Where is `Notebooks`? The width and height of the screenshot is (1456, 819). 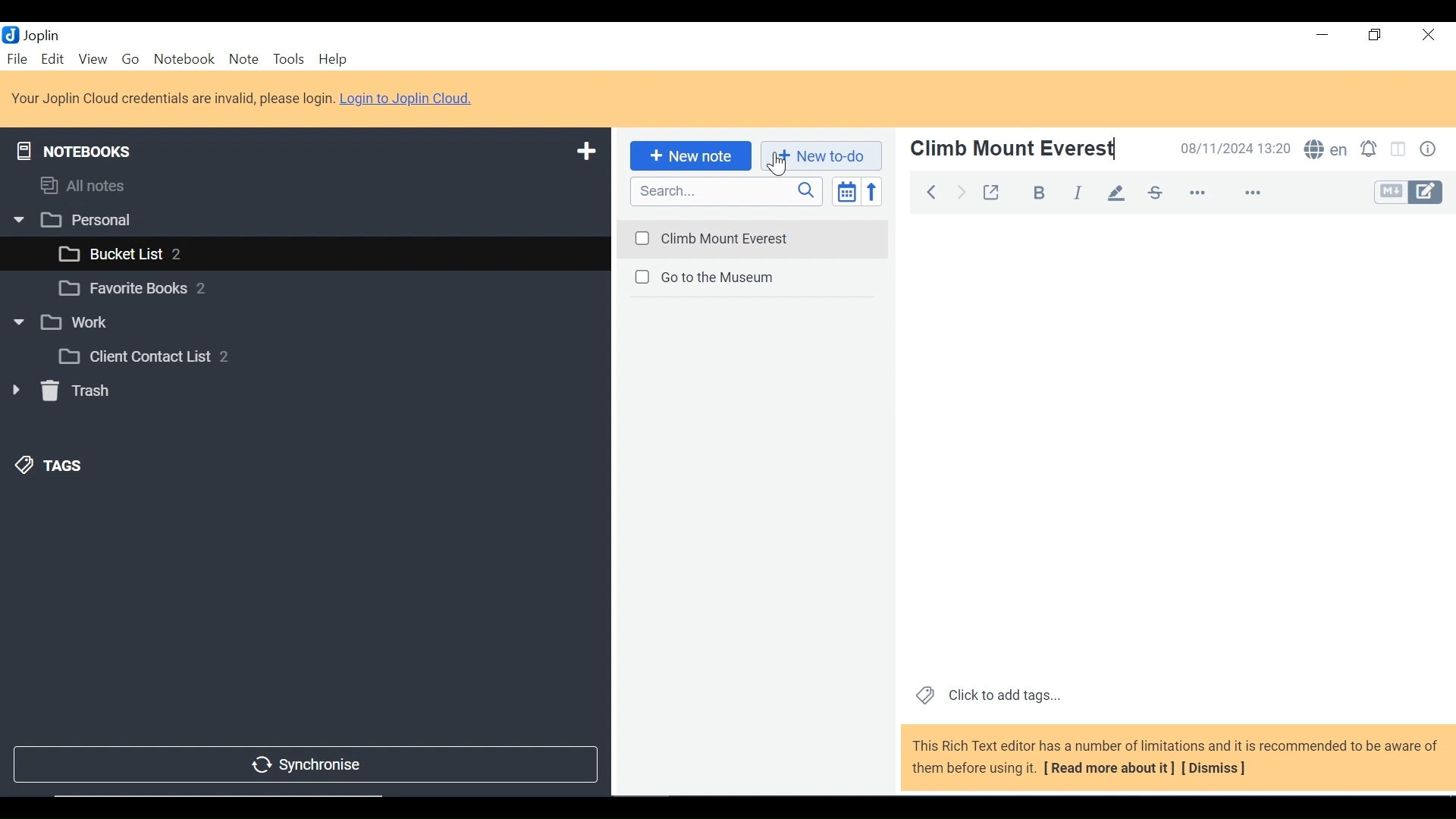 Notebooks is located at coordinates (74, 148).